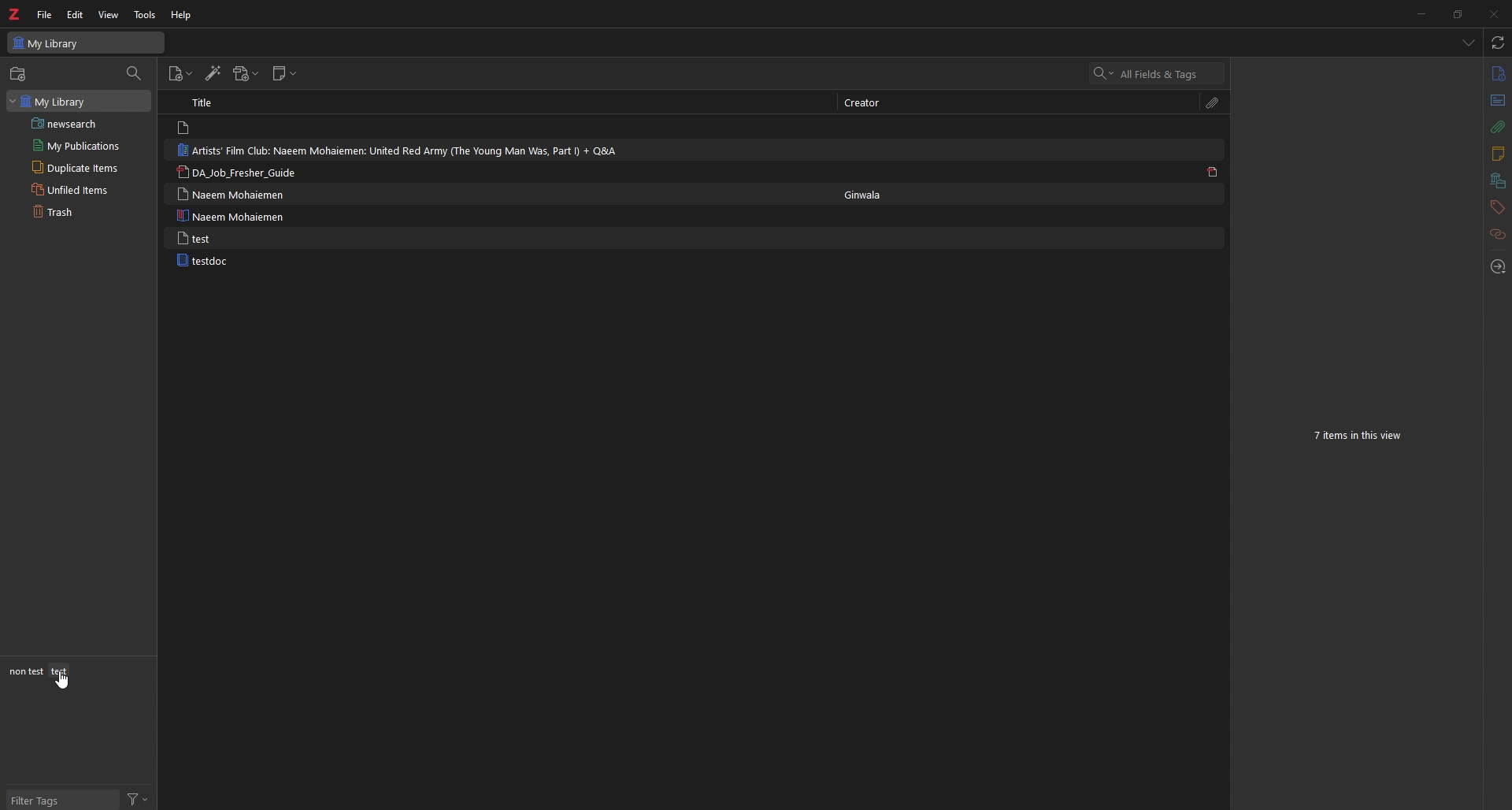 Image resolution: width=1512 pixels, height=810 pixels. Describe the element at coordinates (83, 189) in the screenshot. I see `unfiled items` at that location.